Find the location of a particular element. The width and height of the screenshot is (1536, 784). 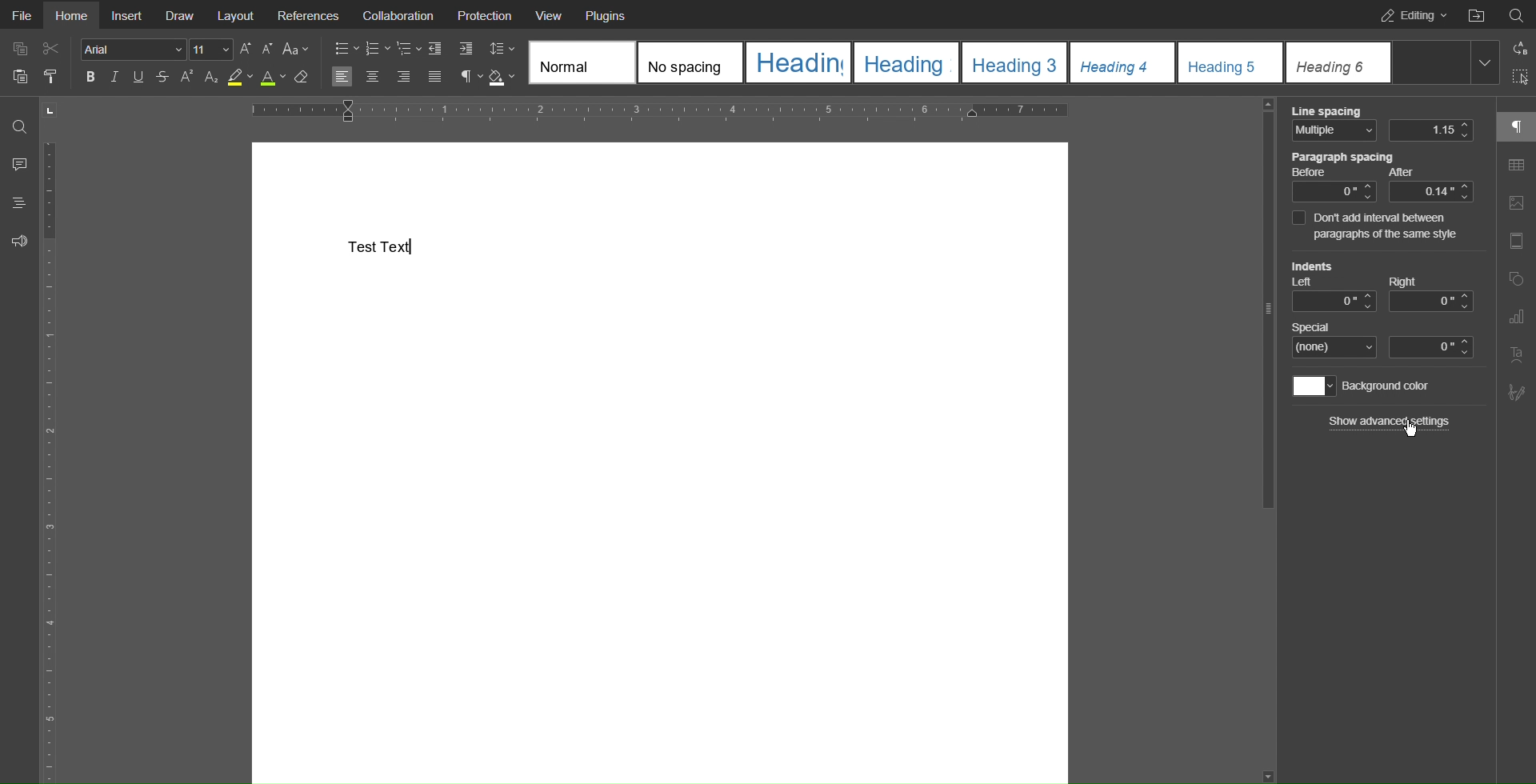

Highlight is located at coordinates (240, 78).